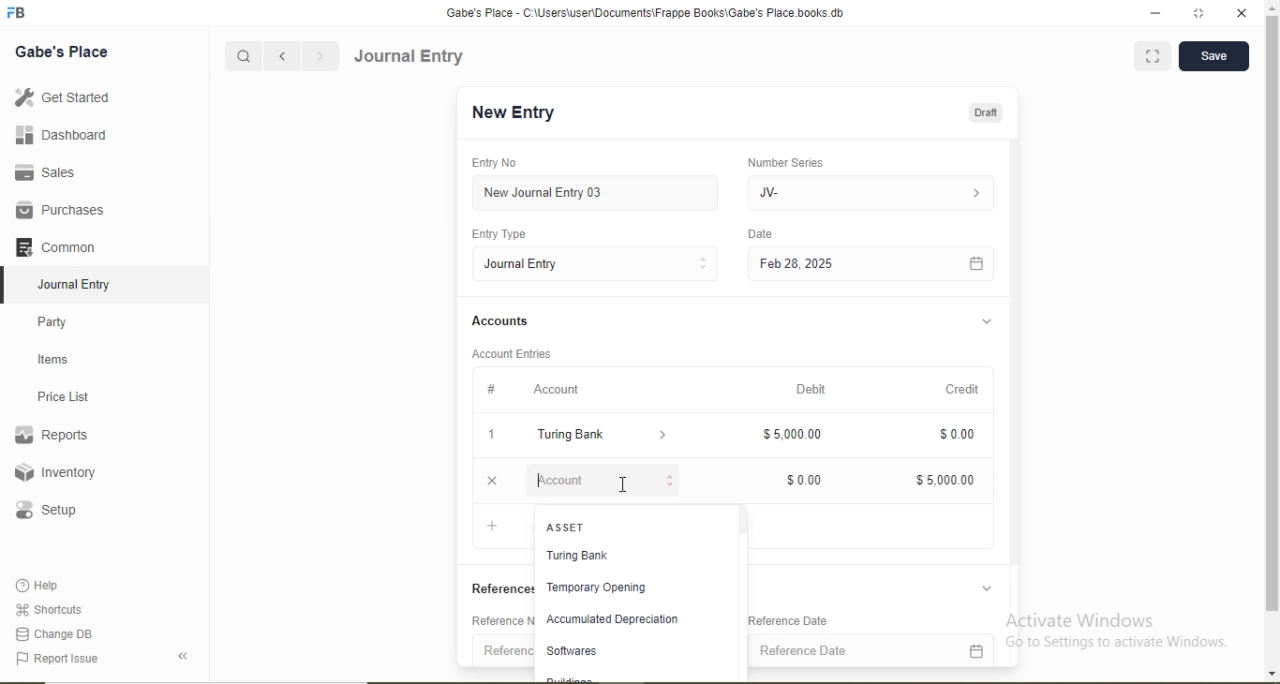 The image size is (1280, 684). I want to click on Date, so click(764, 233).